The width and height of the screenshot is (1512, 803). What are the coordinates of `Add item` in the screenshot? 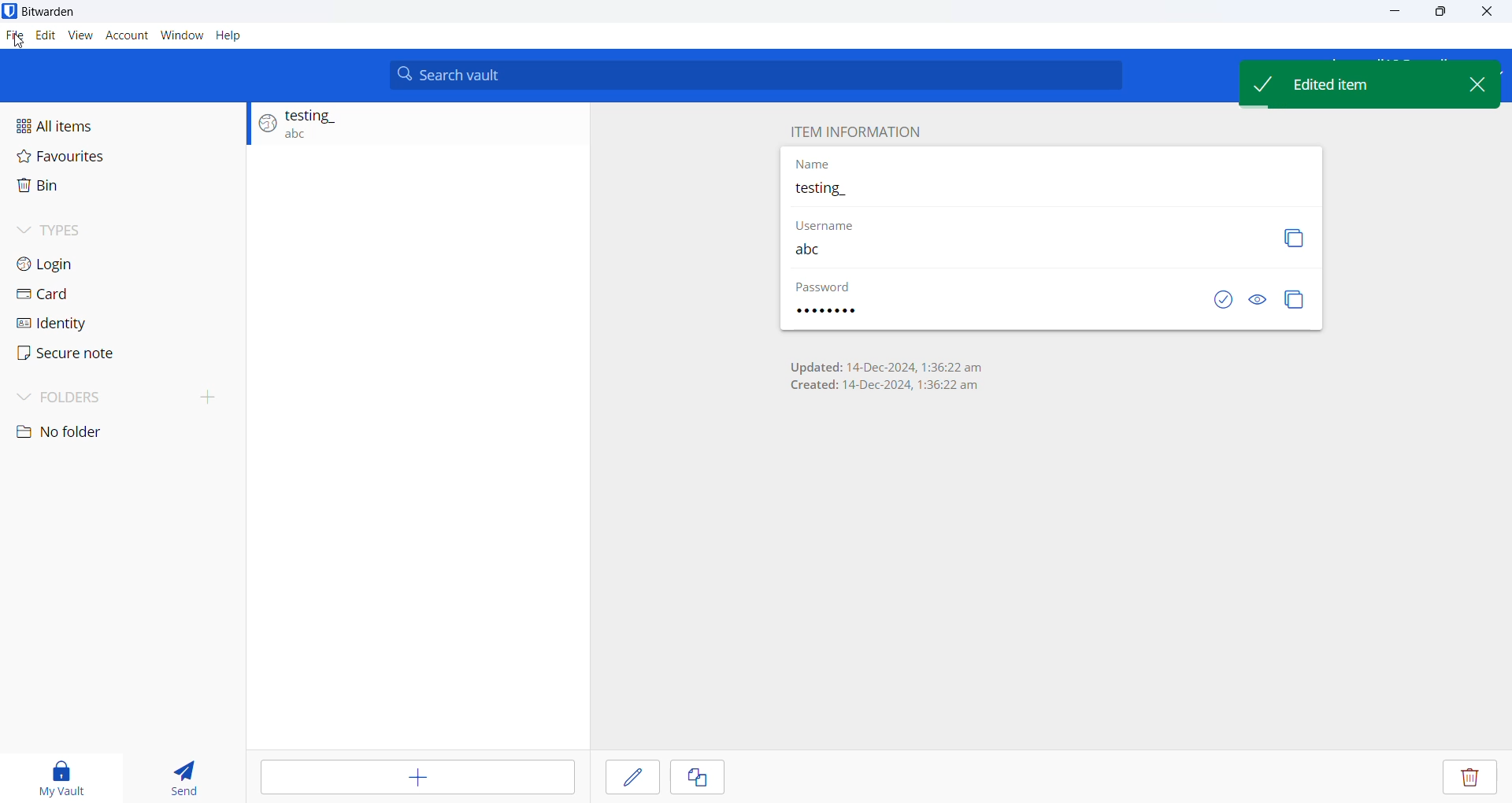 It's located at (415, 778).